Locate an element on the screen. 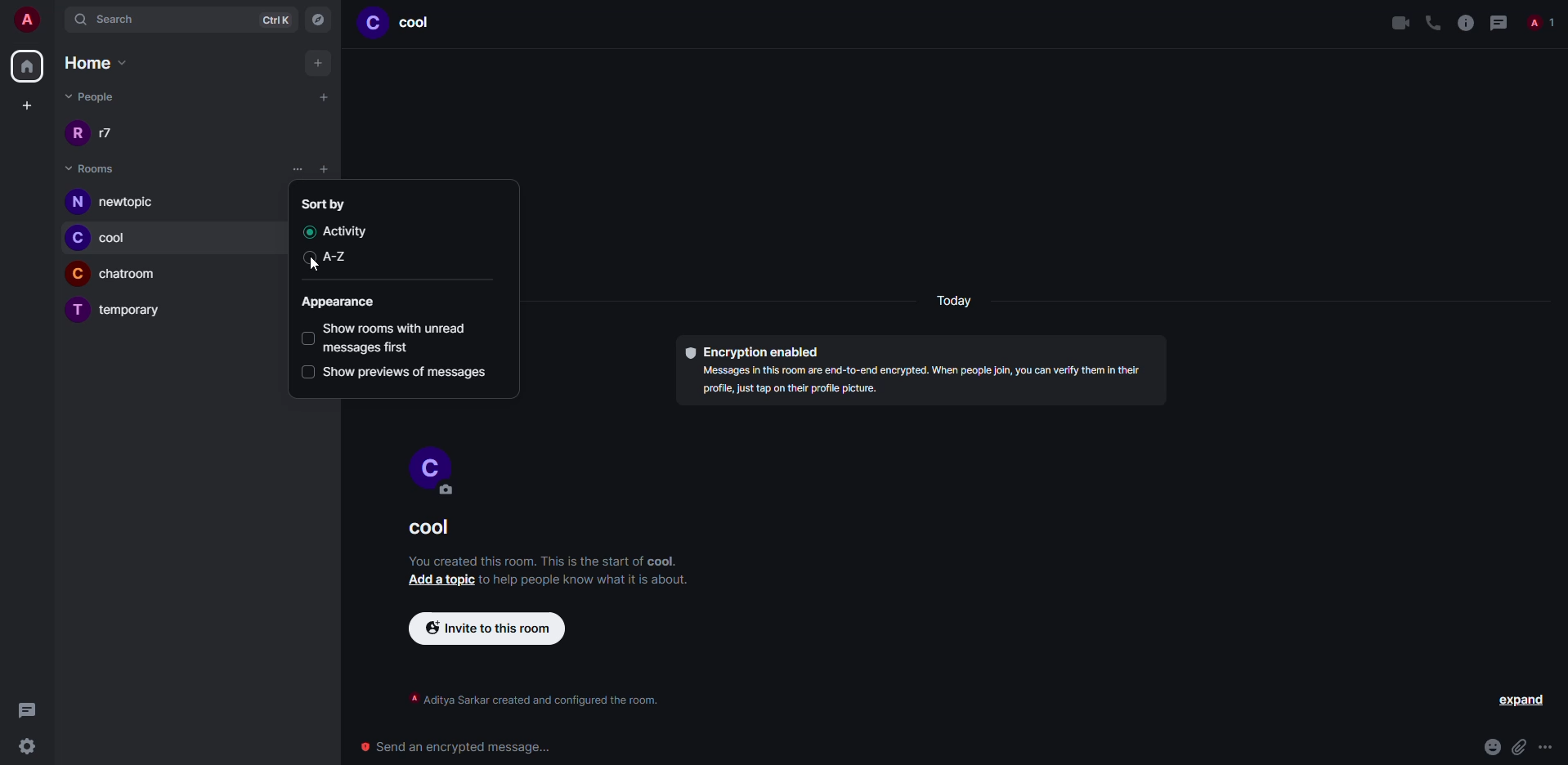 The image size is (1568, 765). profile is located at coordinates (76, 202).